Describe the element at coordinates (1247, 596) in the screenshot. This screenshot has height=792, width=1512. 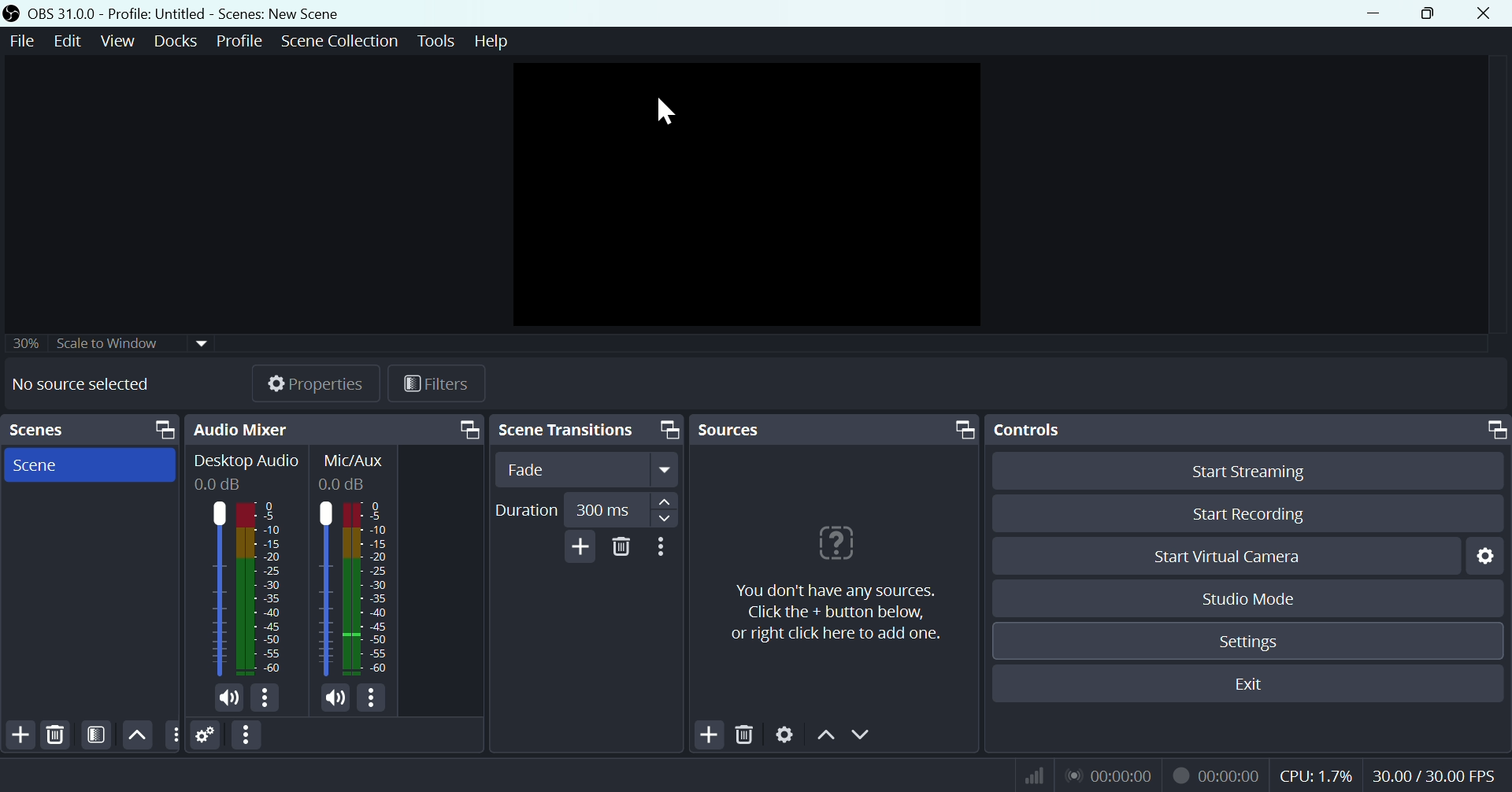
I see `Studio mode` at that location.